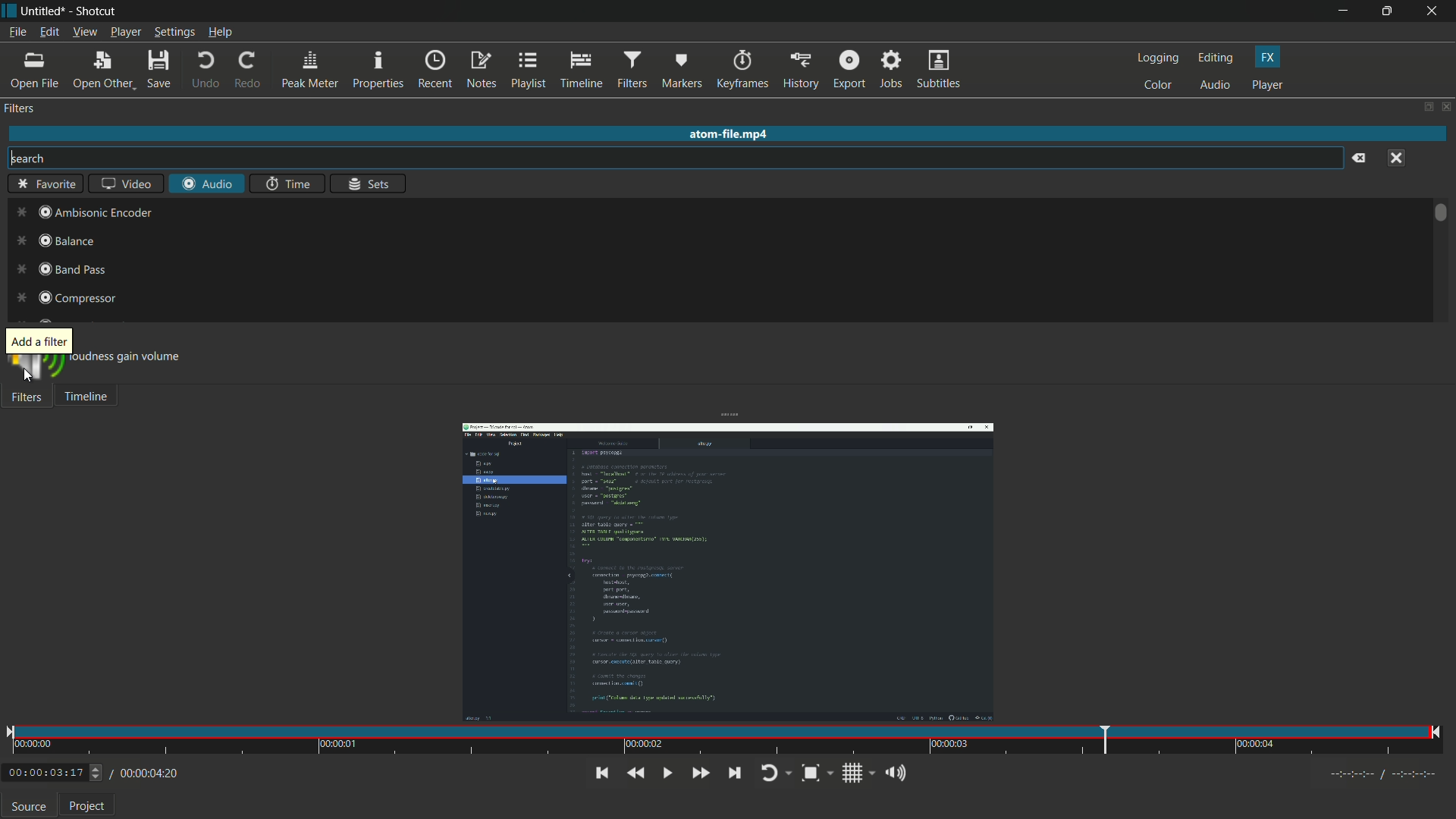 The width and height of the screenshot is (1456, 819). What do you see at coordinates (1267, 58) in the screenshot?
I see `fx` at bounding box center [1267, 58].